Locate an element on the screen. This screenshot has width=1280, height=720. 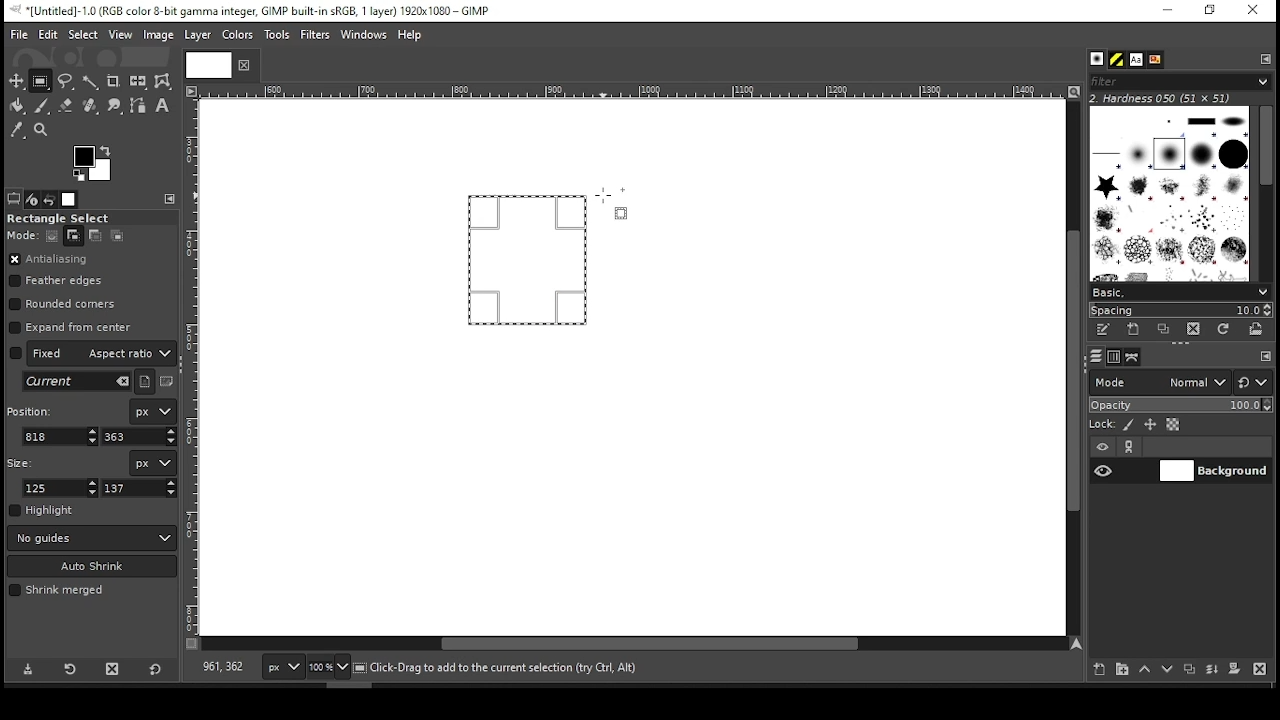
scroll bar is located at coordinates (1265, 192).